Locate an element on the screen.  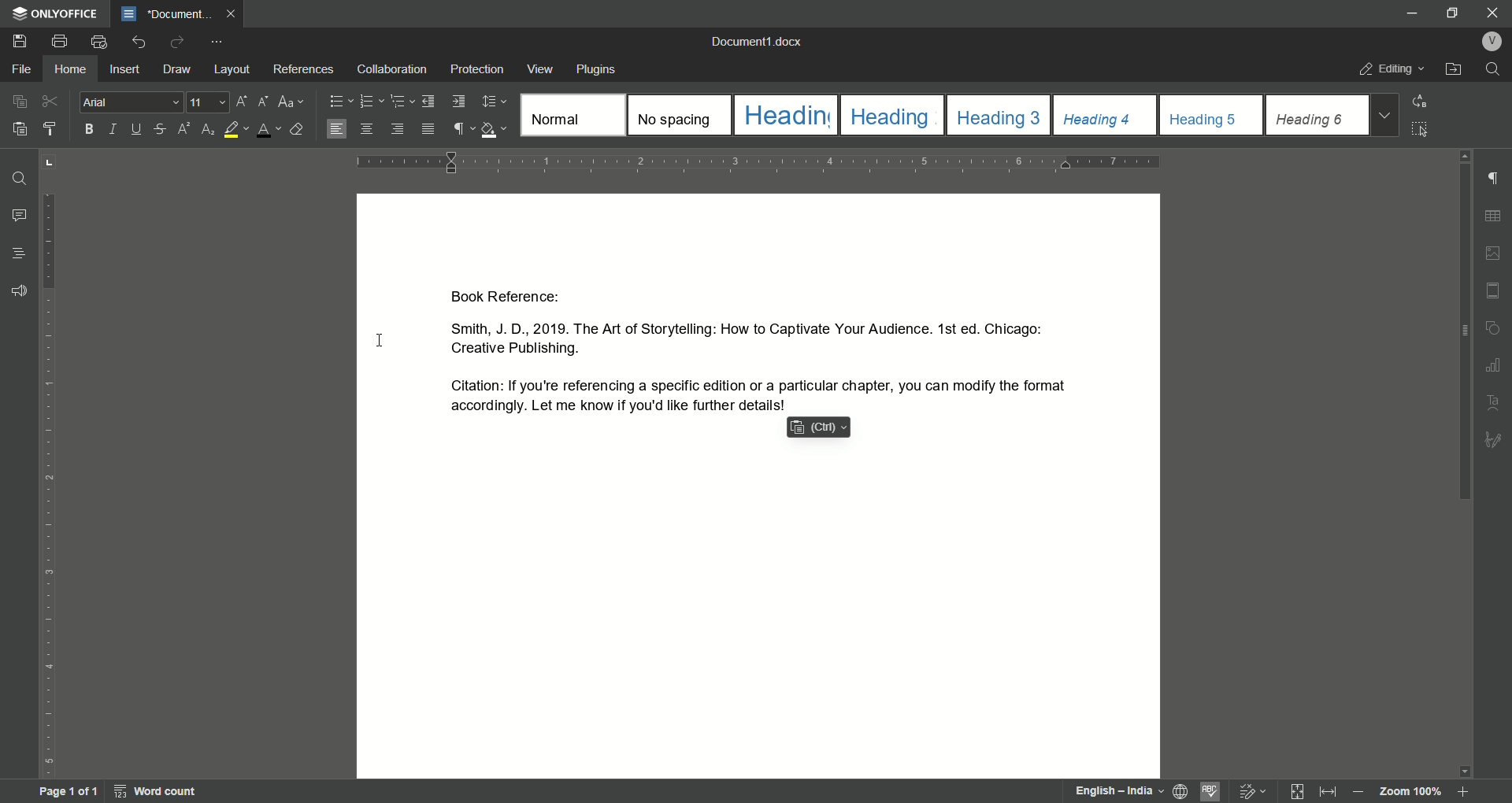
open file is located at coordinates (1454, 68).